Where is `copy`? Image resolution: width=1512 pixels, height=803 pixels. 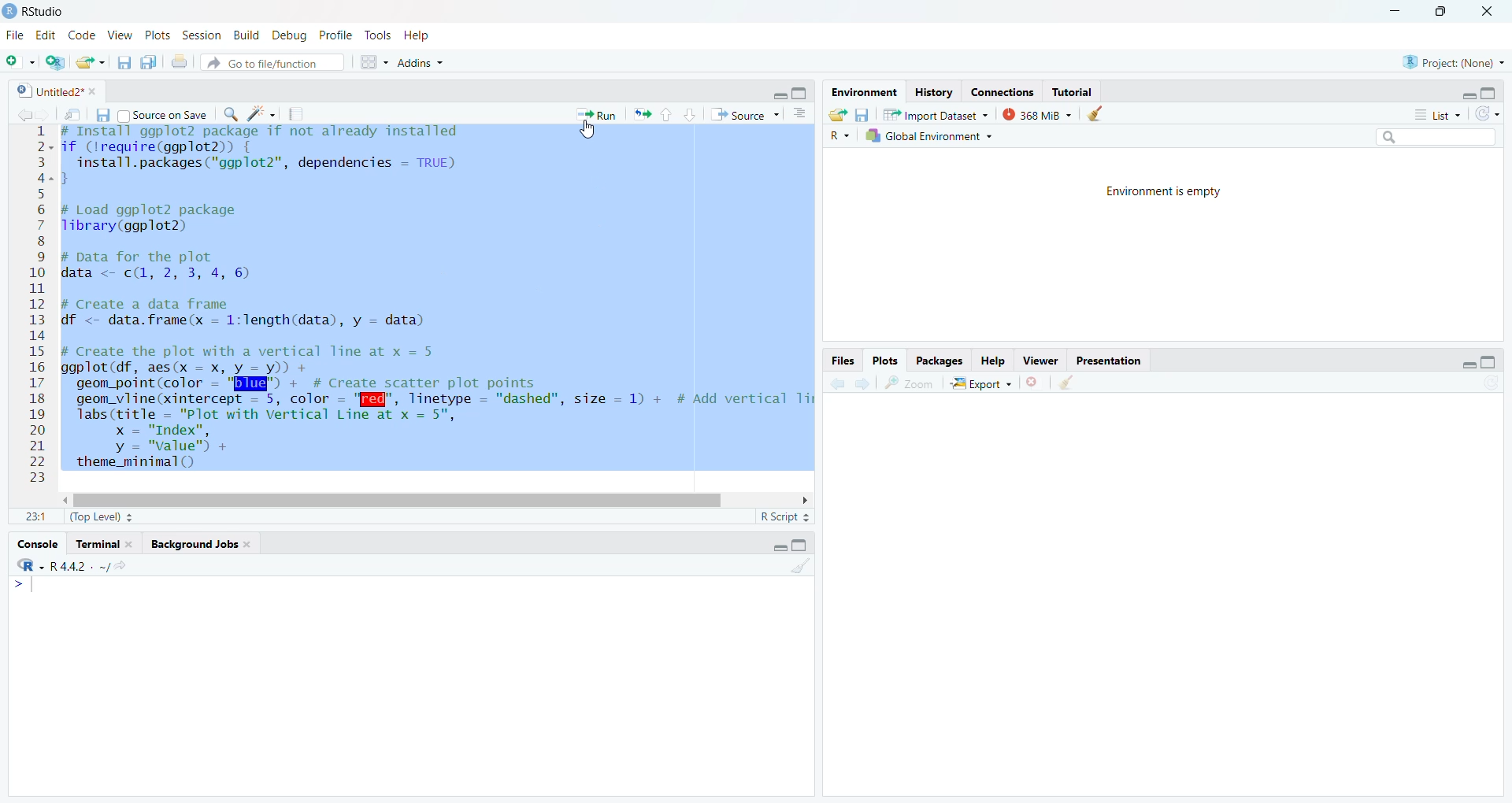 copy is located at coordinates (148, 64).